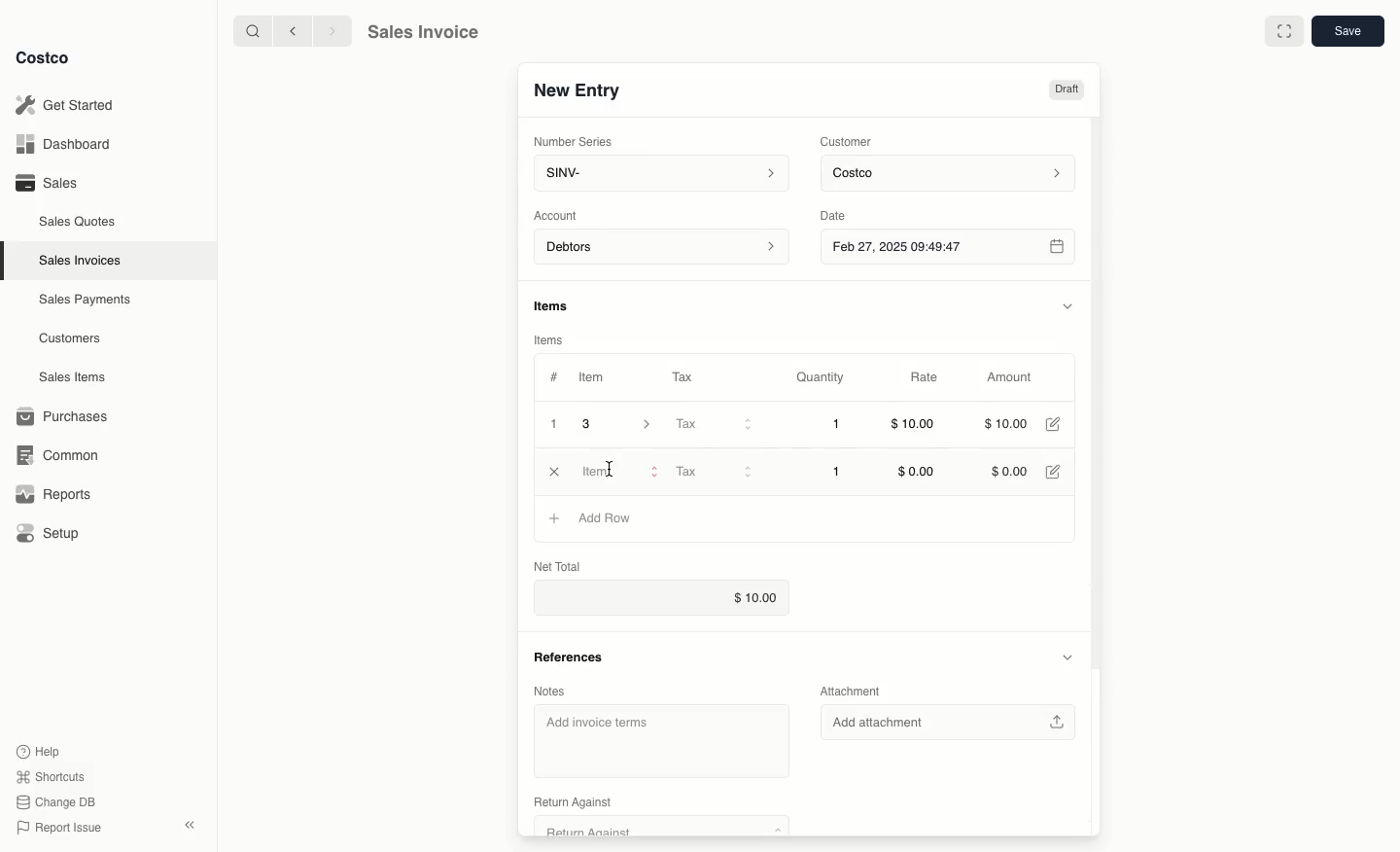 The width and height of the screenshot is (1400, 852). I want to click on Save, so click(1347, 32).